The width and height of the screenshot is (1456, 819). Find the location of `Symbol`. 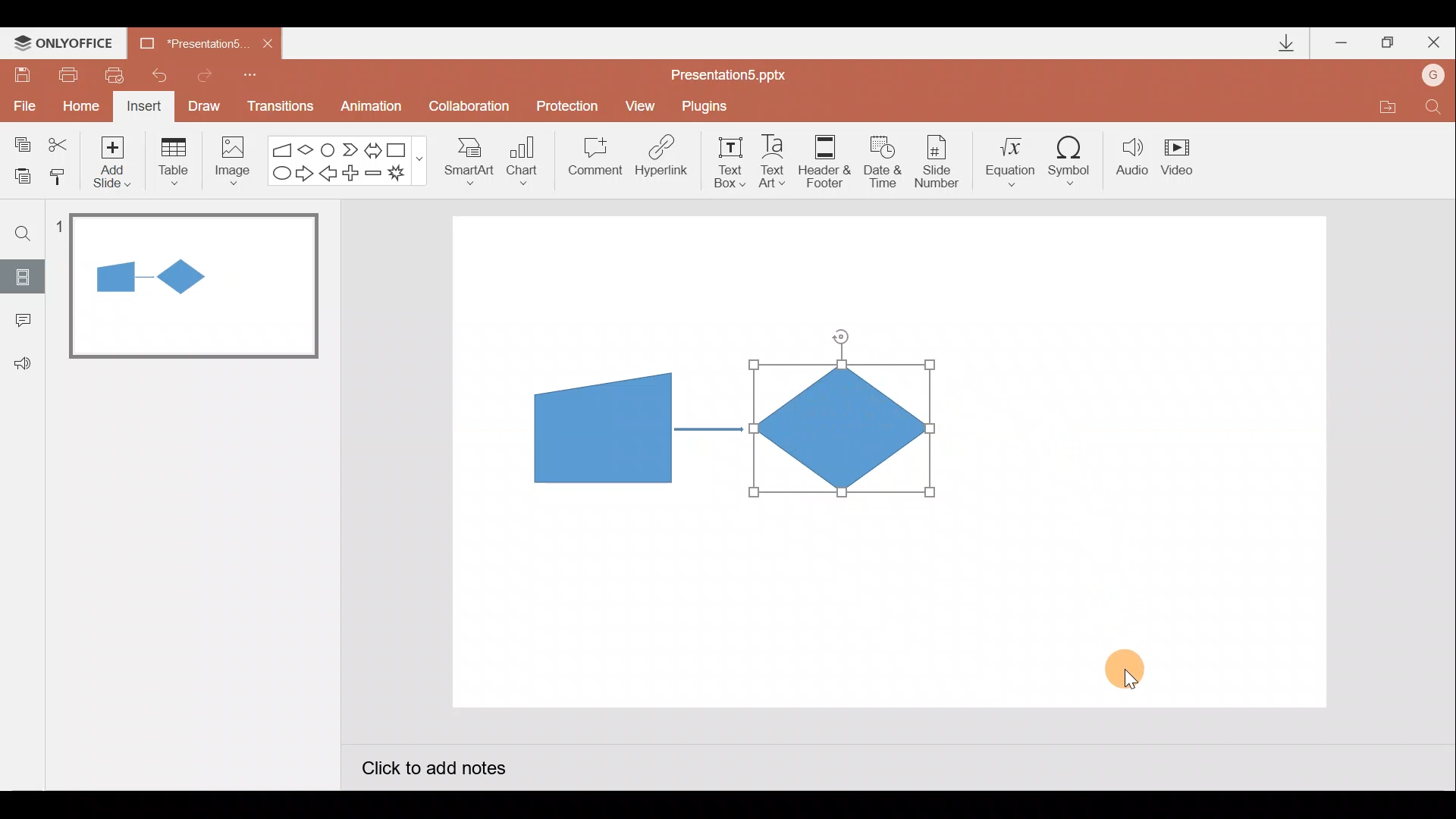

Symbol is located at coordinates (1075, 160).